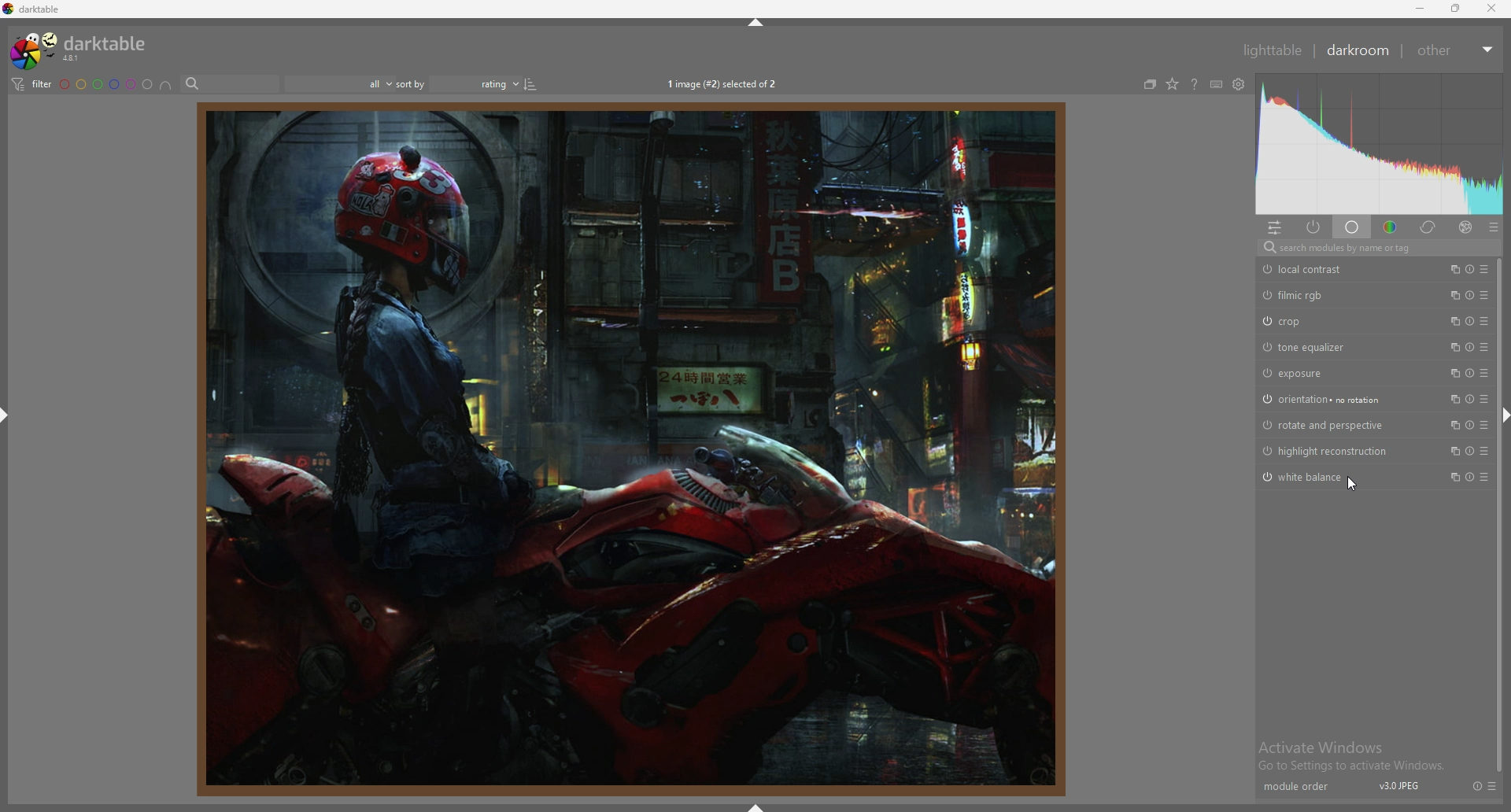  Describe the element at coordinates (726, 83) in the screenshot. I see `1 image (#2) selected of 2` at that location.